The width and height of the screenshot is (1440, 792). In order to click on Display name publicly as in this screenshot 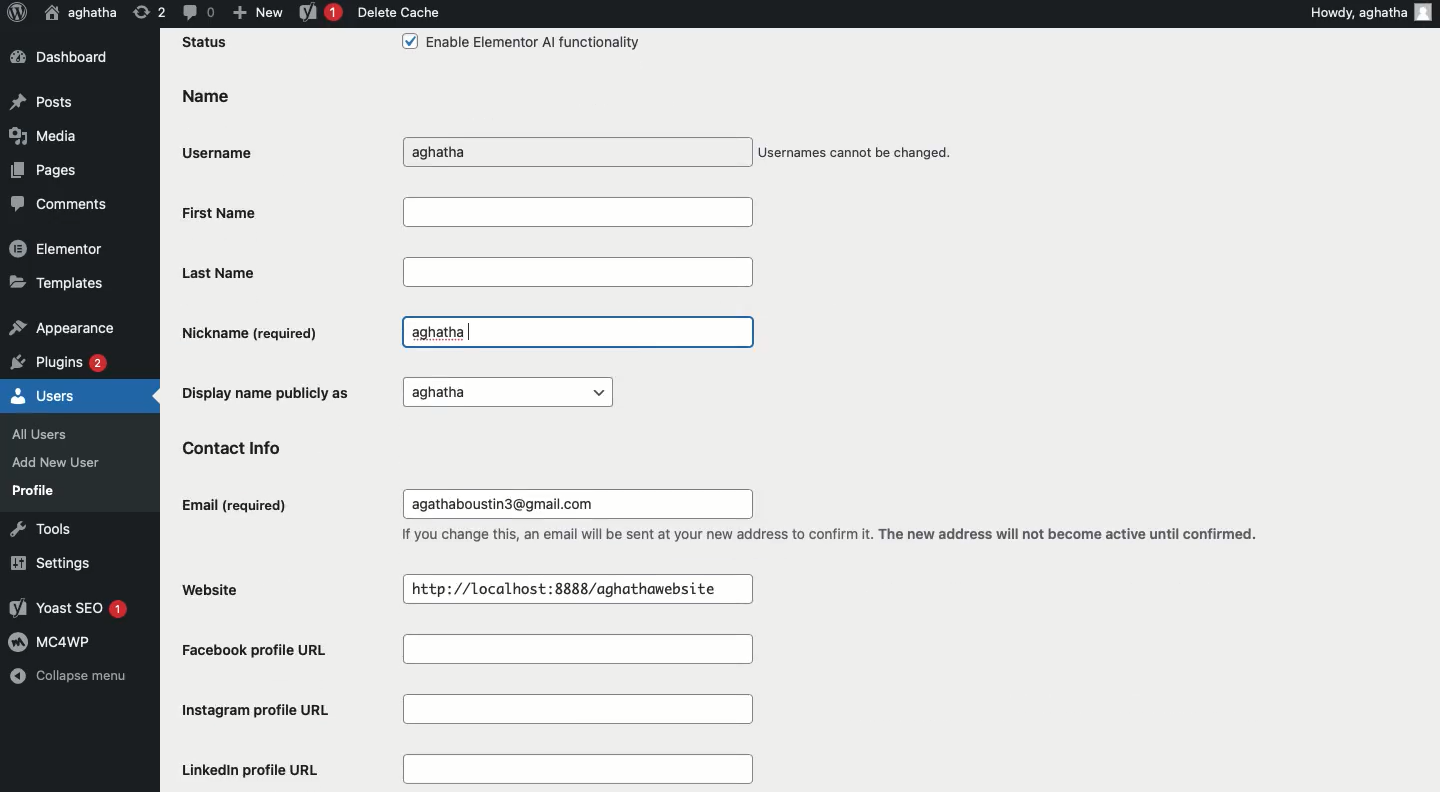, I will do `click(392, 391)`.